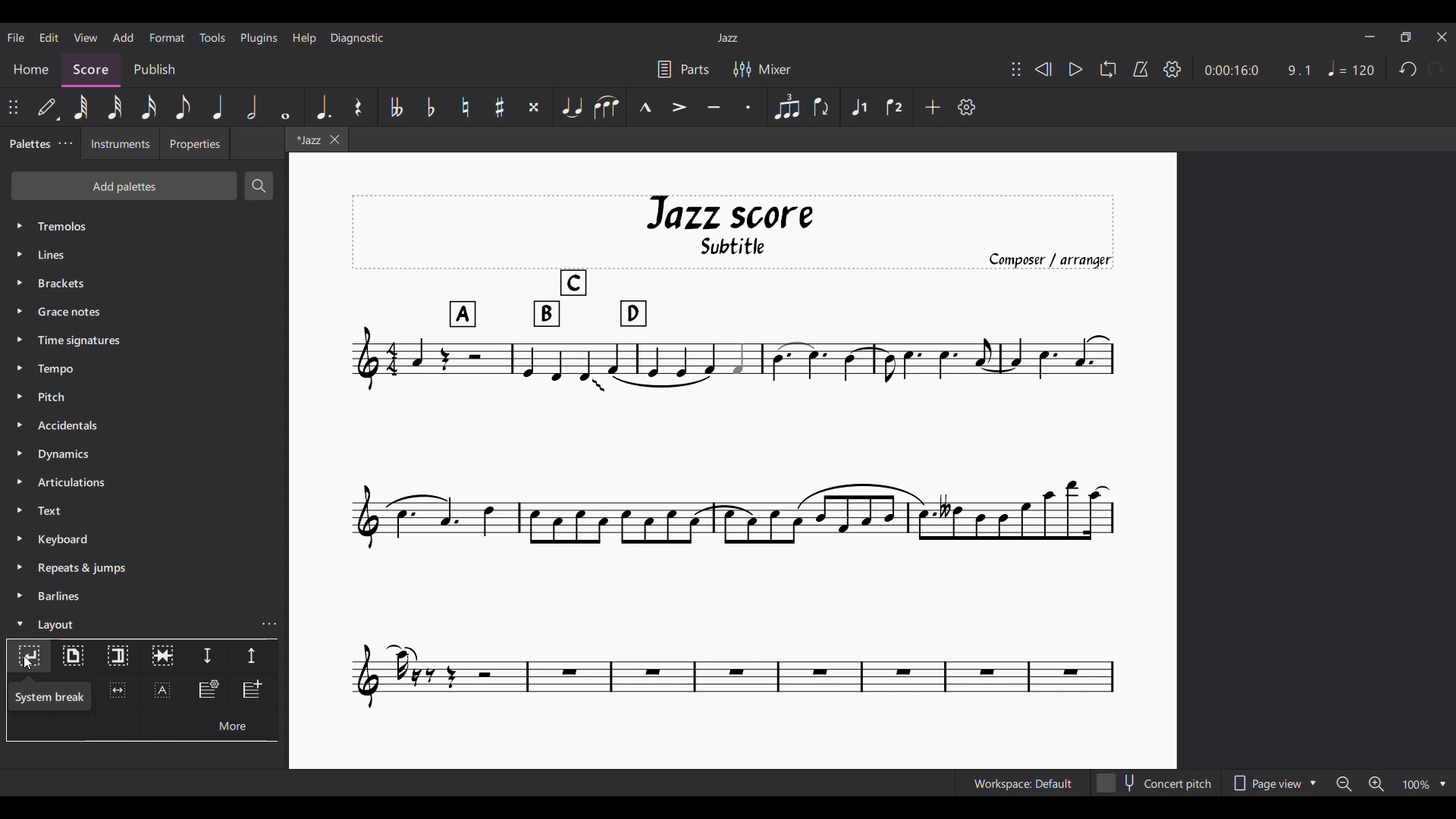  Describe the element at coordinates (966, 107) in the screenshot. I see `Customize settings` at that location.